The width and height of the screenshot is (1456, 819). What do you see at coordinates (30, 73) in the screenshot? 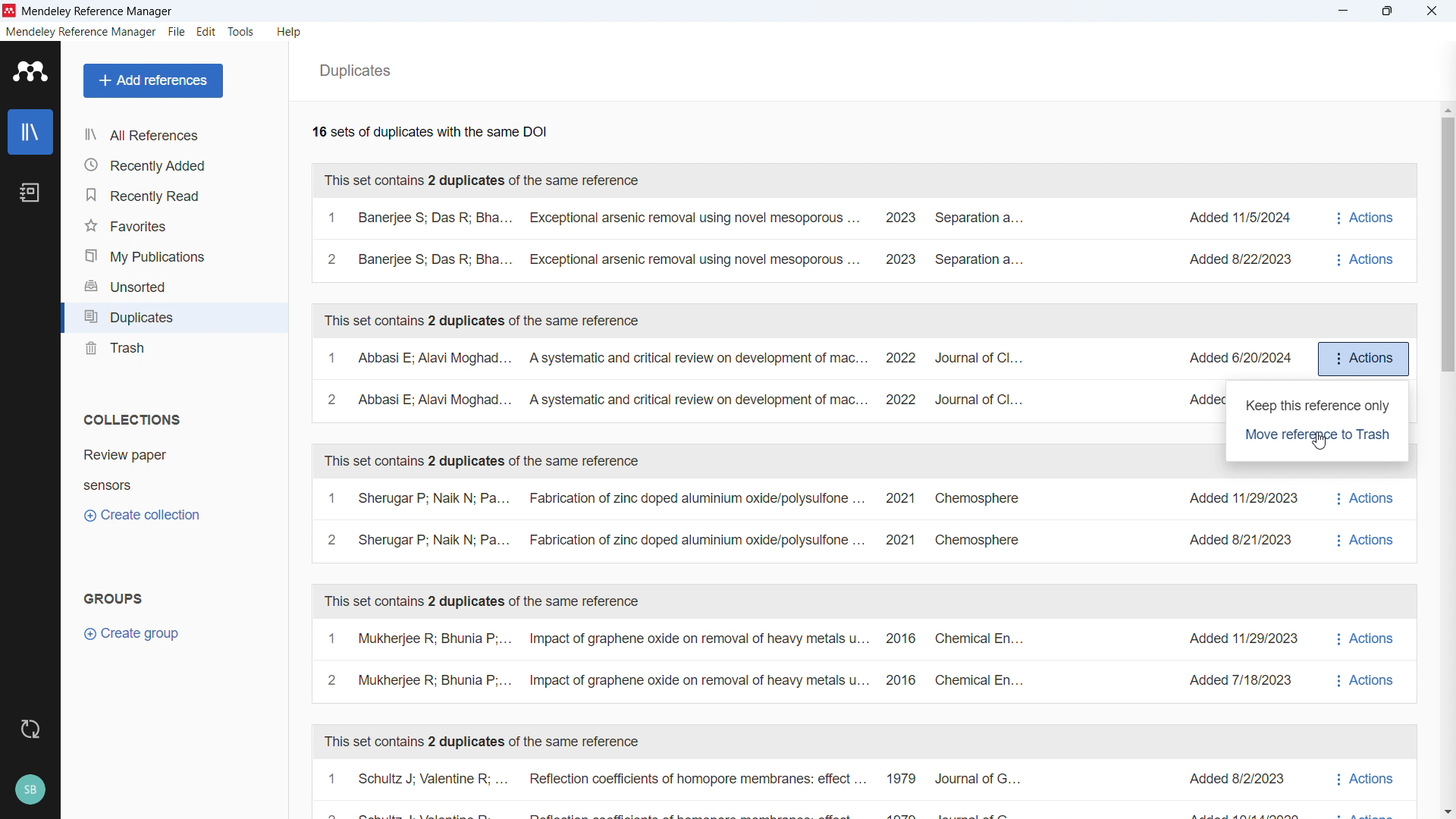
I see `logo` at bounding box center [30, 73].